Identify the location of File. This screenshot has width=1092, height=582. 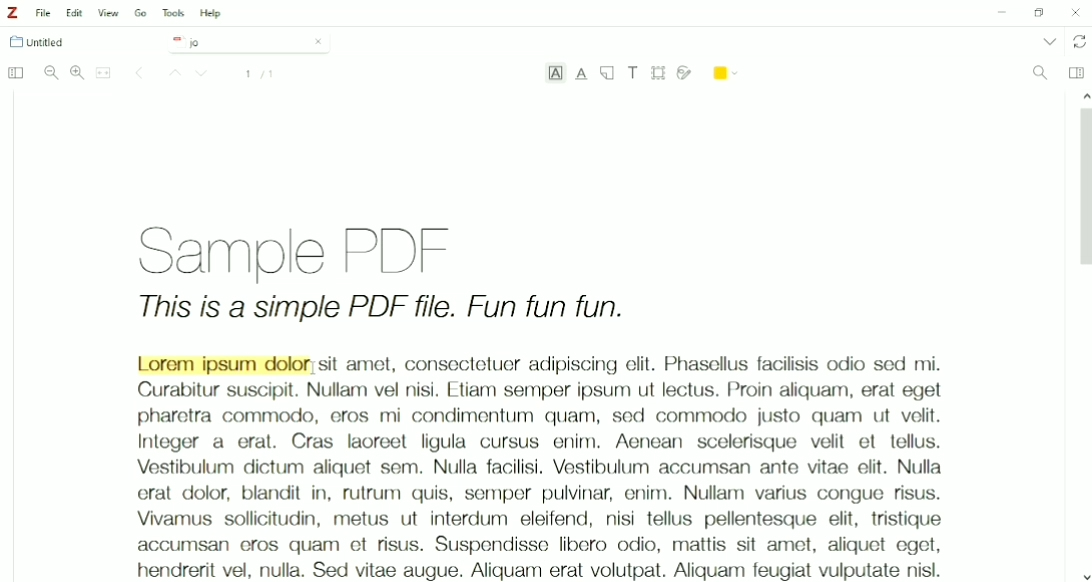
(44, 13).